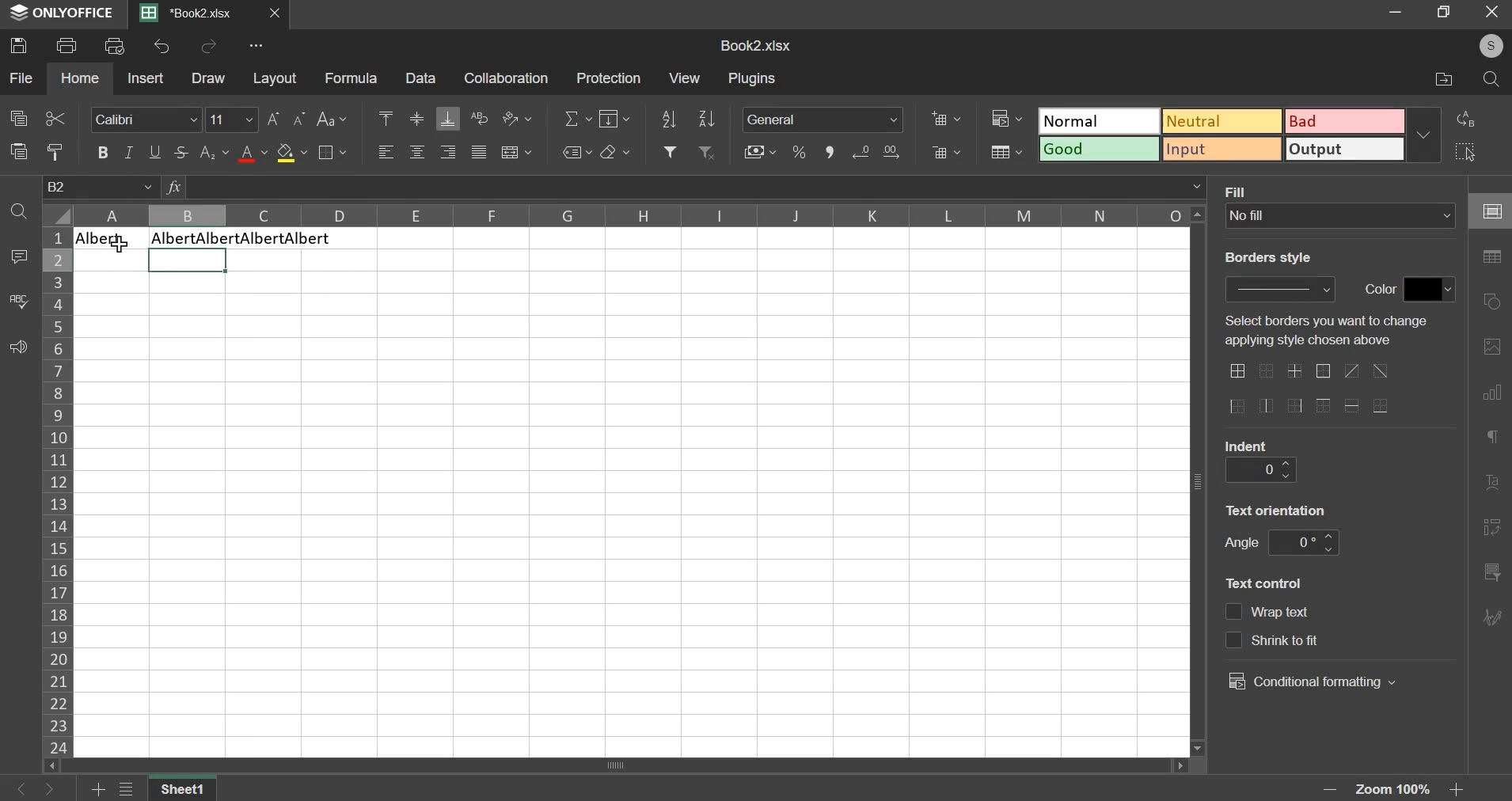  What do you see at coordinates (620, 766) in the screenshot?
I see `scroll bar` at bounding box center [620, 766].